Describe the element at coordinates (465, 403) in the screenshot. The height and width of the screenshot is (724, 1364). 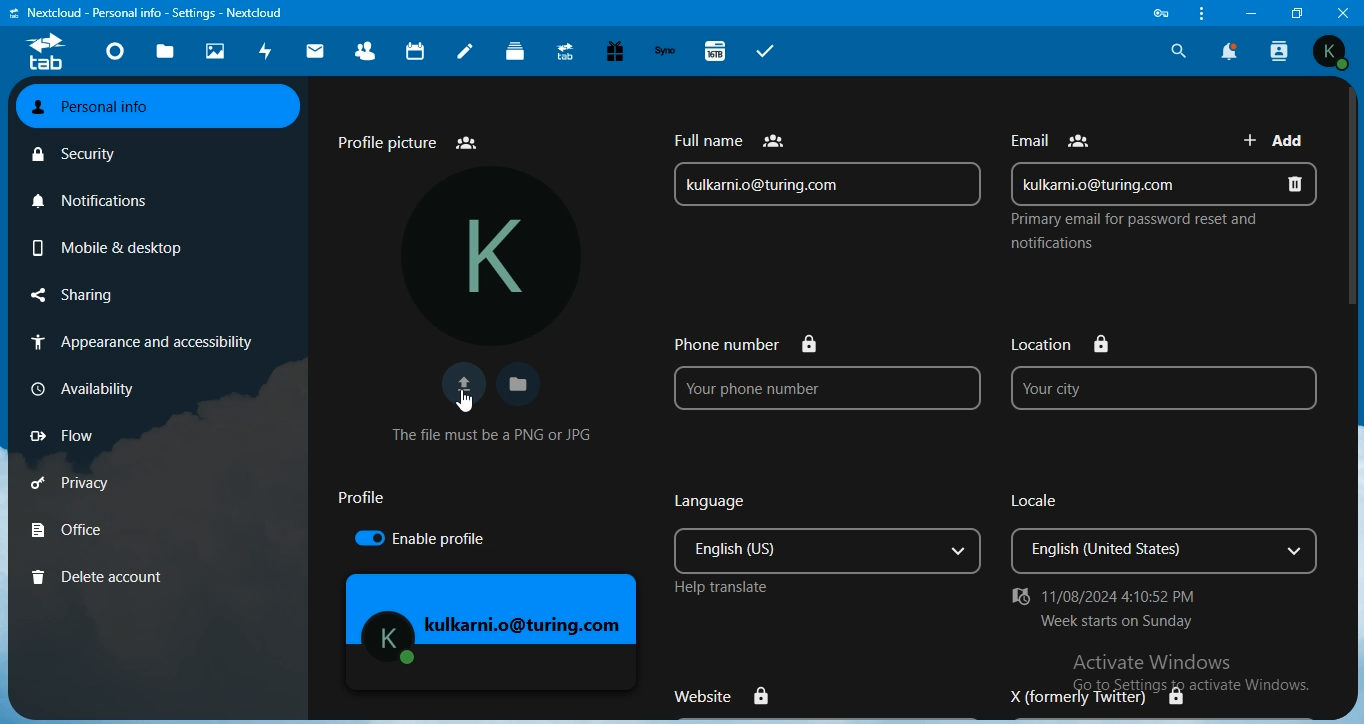
I see `Cursor` at that location.